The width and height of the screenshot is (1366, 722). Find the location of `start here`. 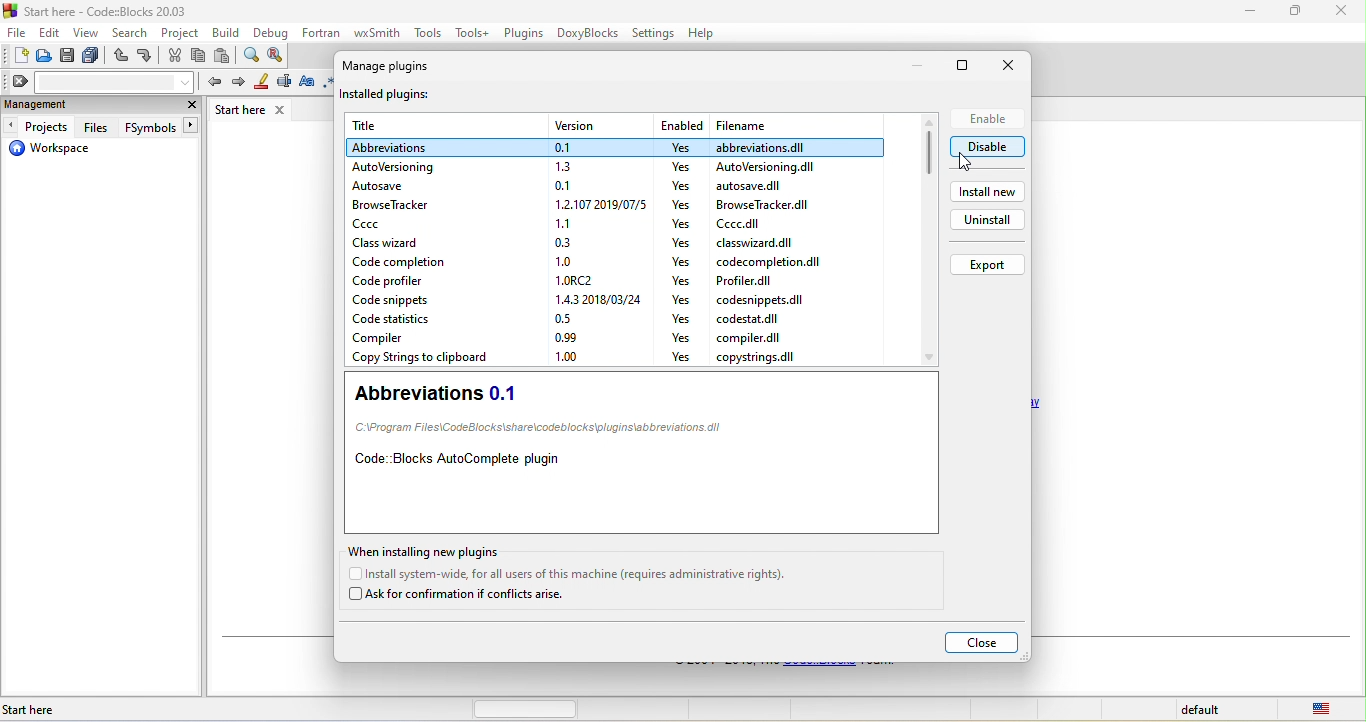

start here is located at coordinates (124, 708).